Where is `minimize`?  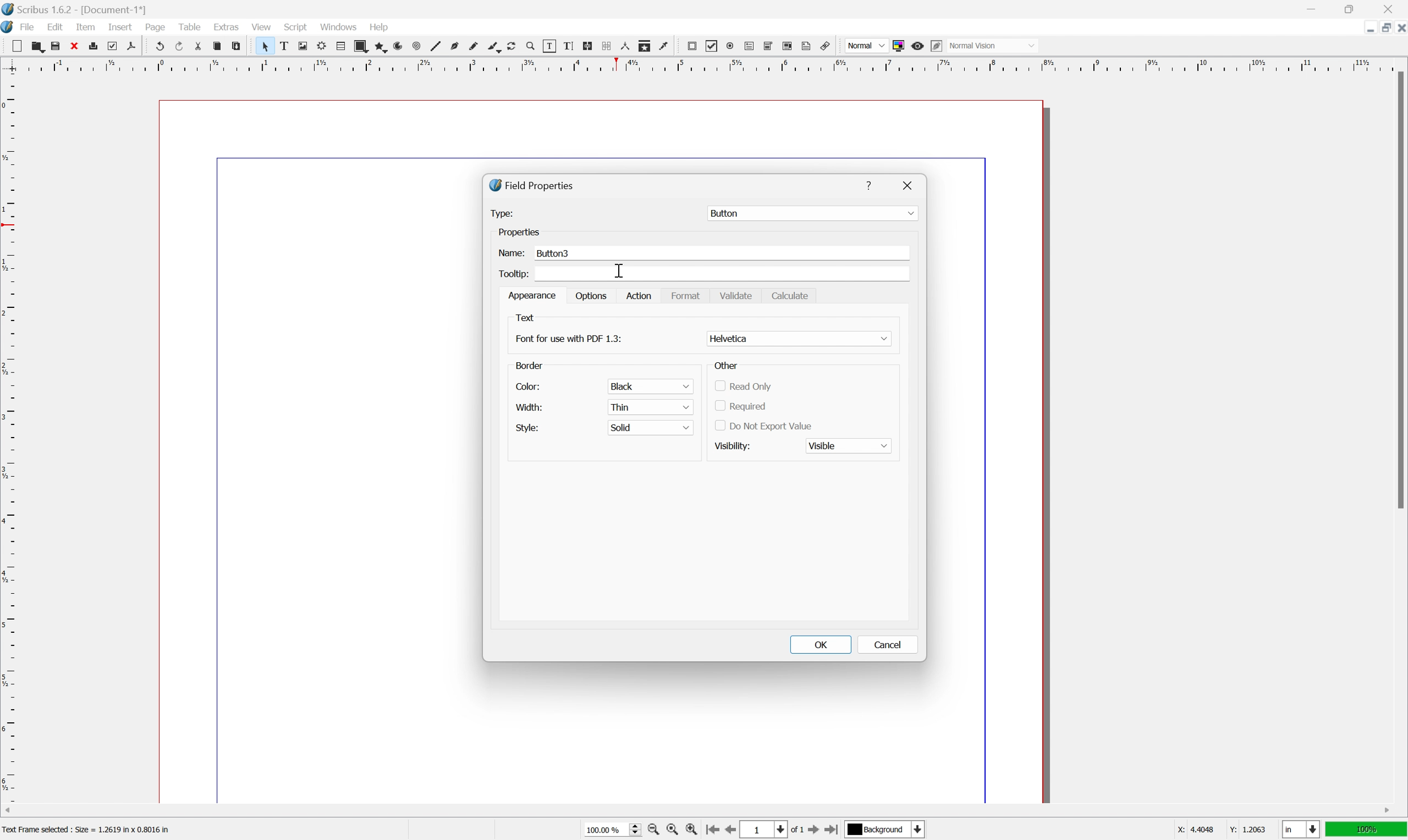
minimize is located at coordinates (1316, 8).